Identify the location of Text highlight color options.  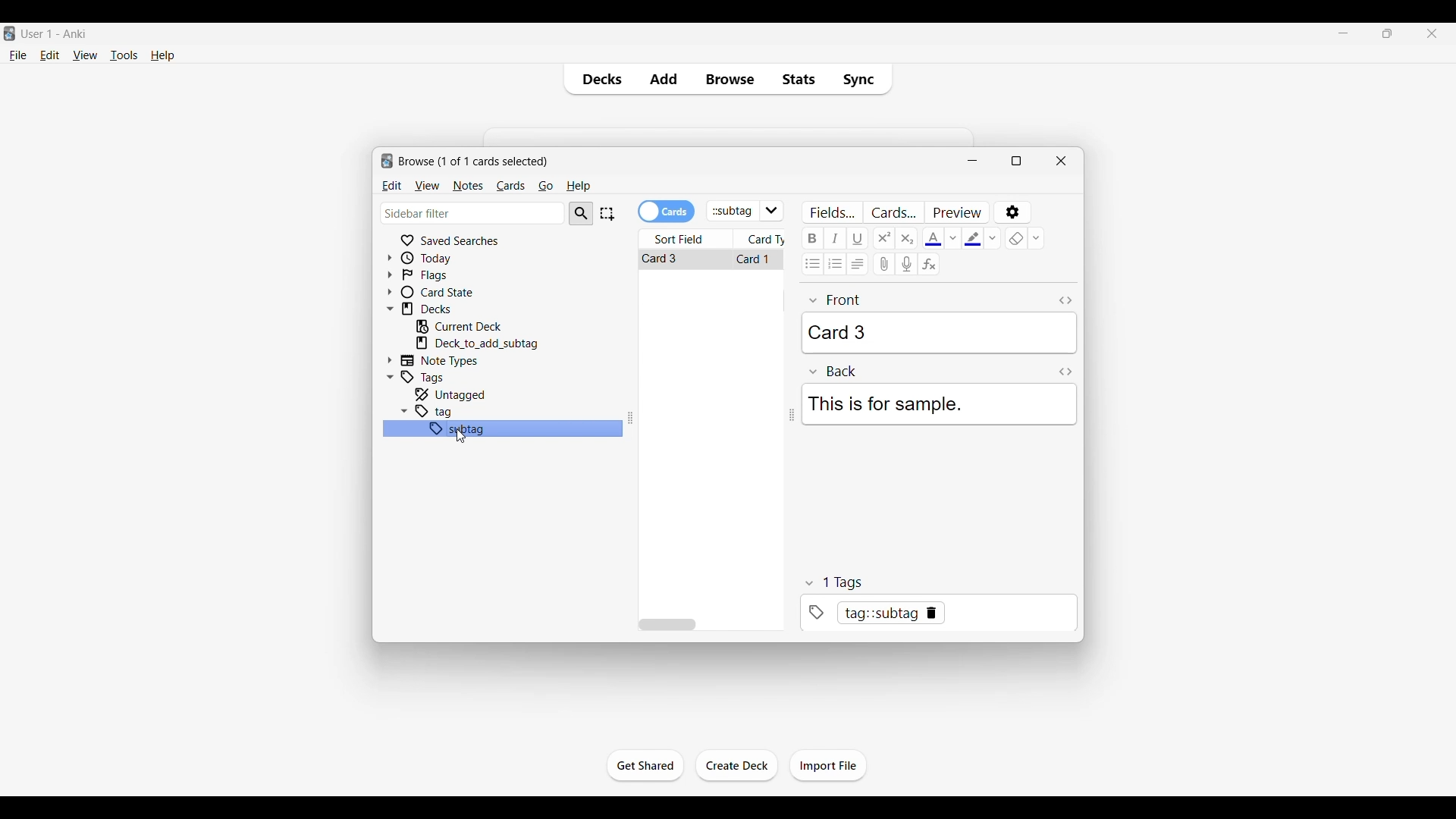
(993, 238).